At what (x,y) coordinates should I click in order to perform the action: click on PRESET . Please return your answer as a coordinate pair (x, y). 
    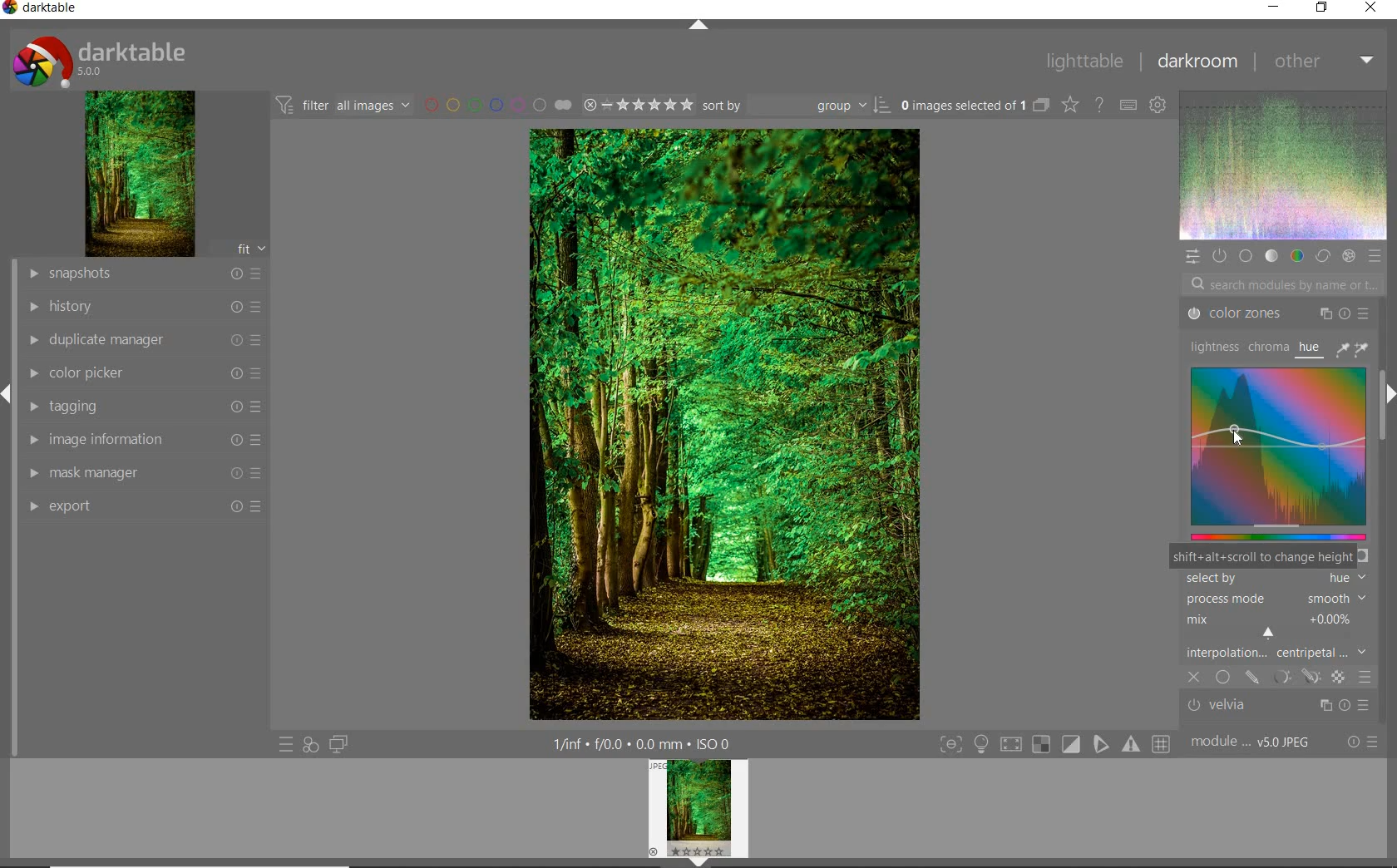
    Looking at the image, I should click on (1375, 255).